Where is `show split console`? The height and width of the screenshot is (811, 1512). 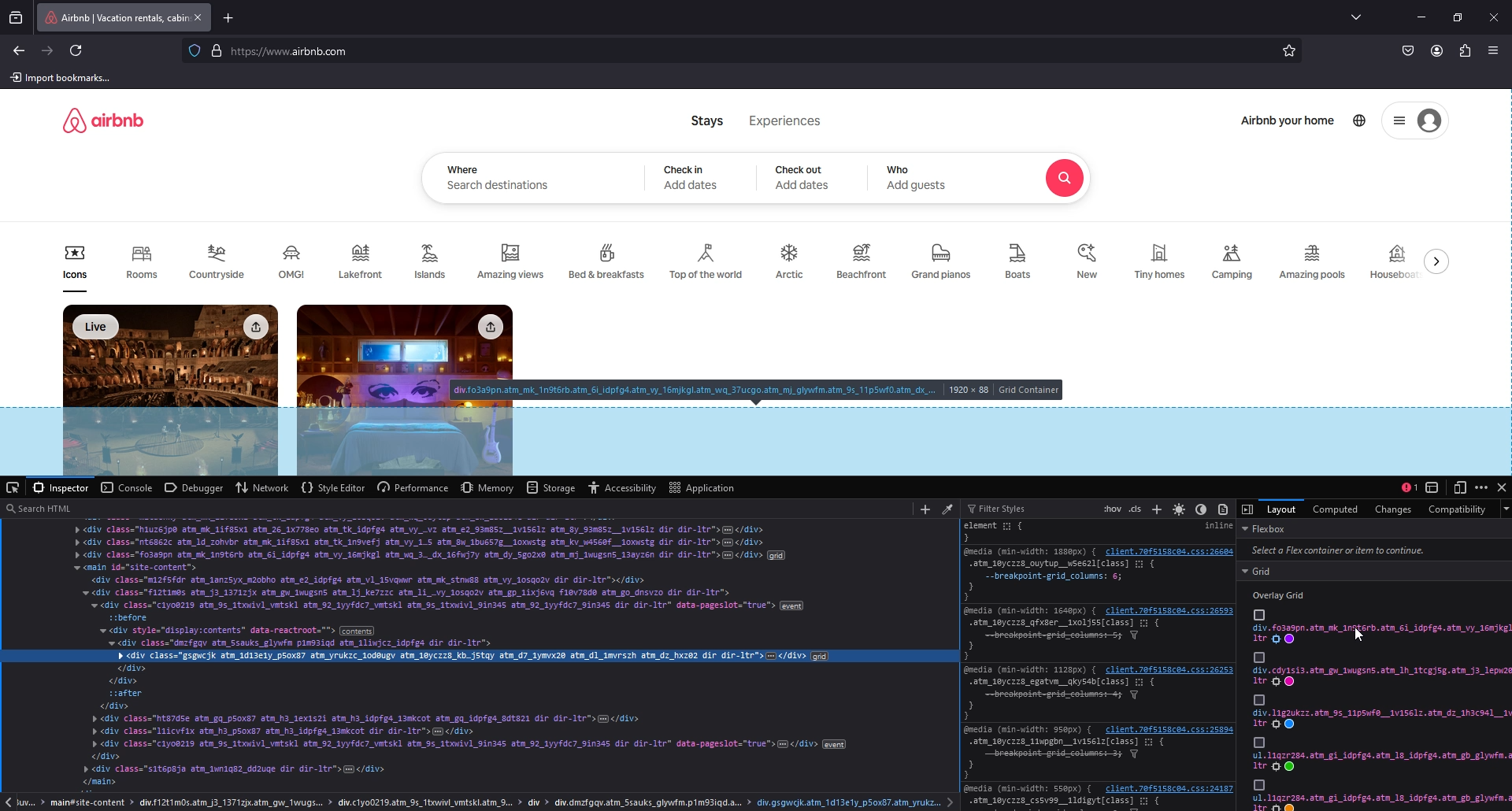
show split console is located at coordinates (1409, 487).